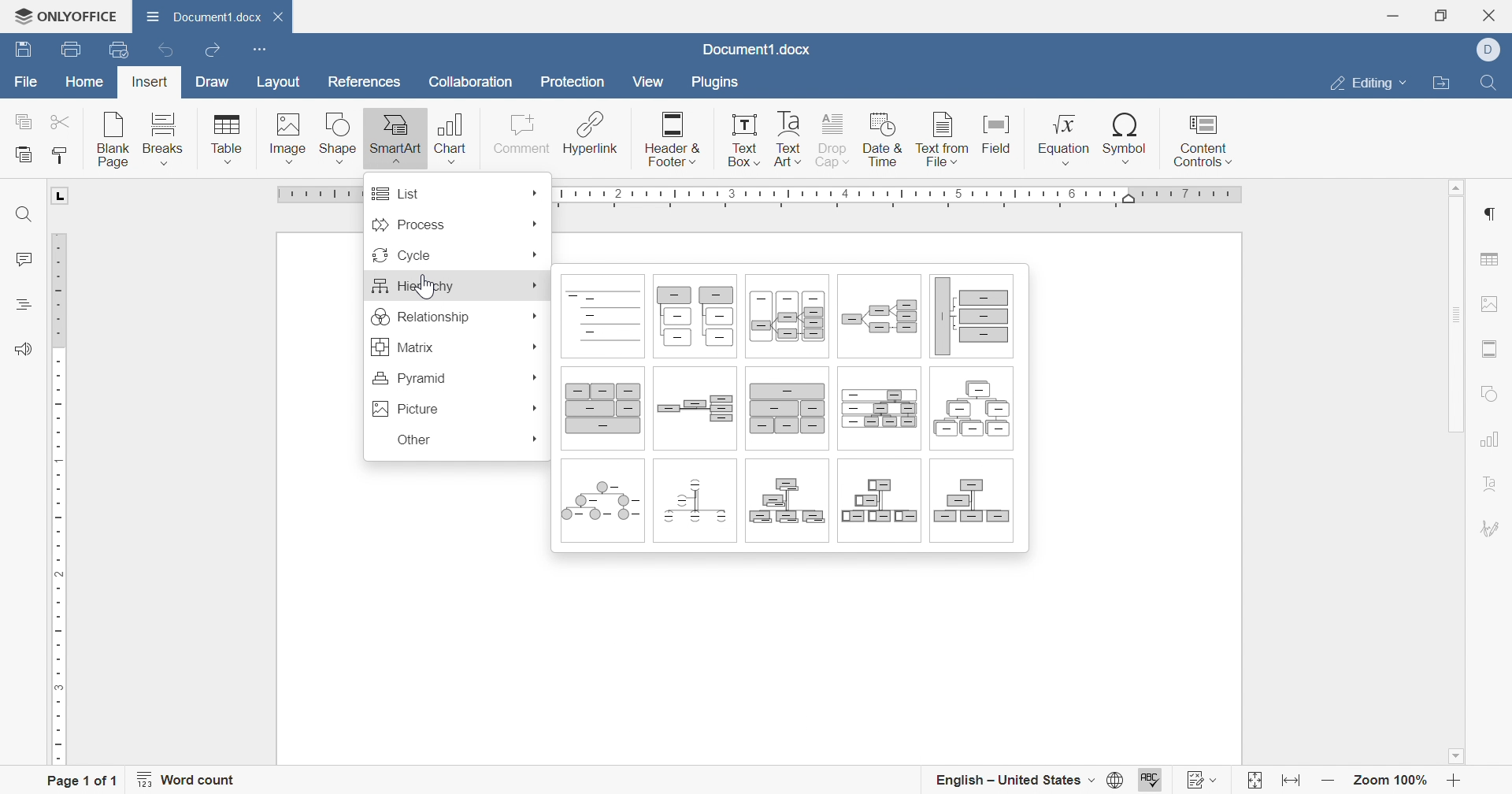  I want to click on Text from file, so click(943, 141).